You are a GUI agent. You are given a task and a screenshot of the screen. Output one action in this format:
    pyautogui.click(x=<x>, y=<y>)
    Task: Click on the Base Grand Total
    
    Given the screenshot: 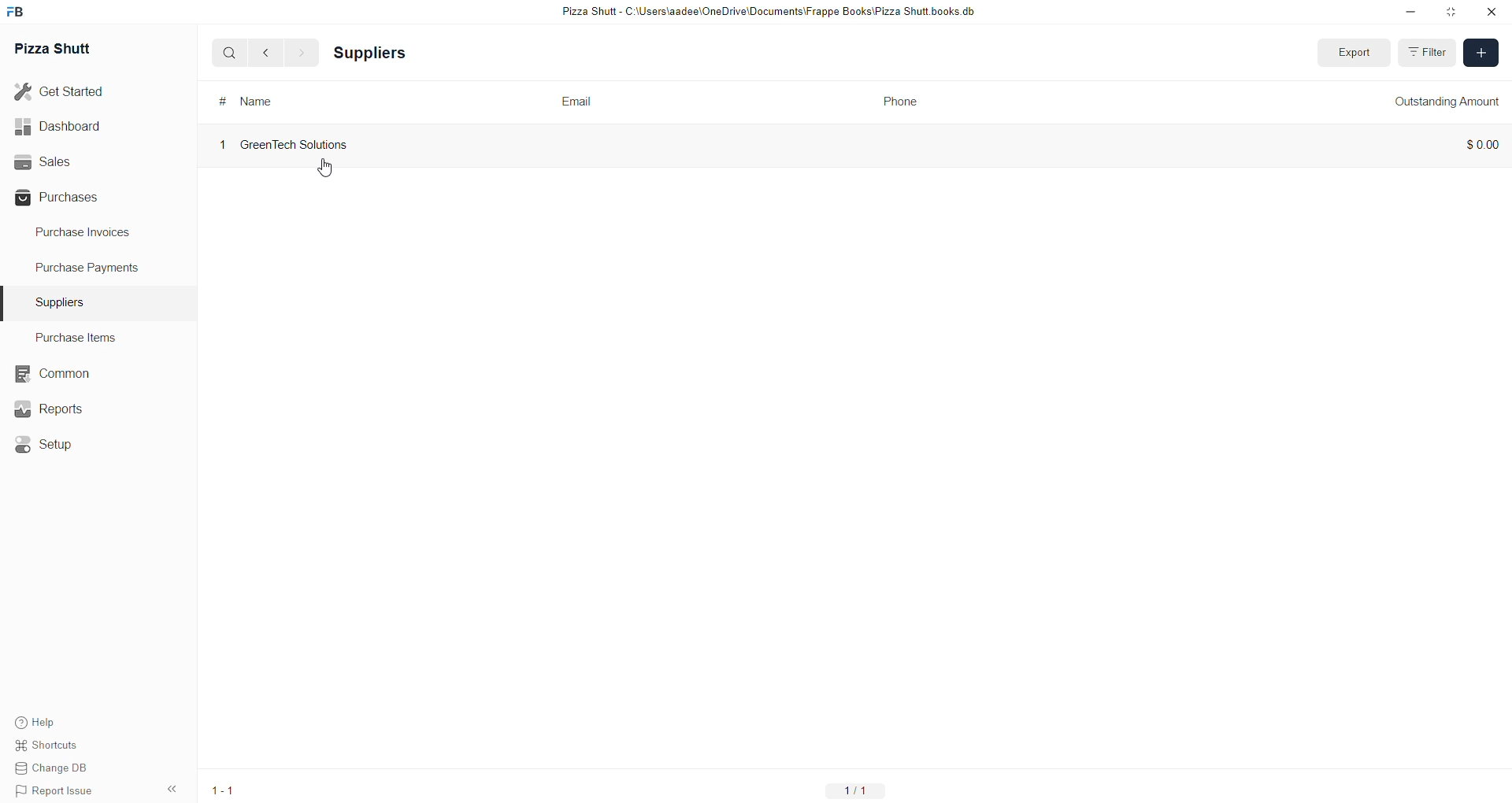 What is the action you would take?
    pyautogui.click(x=1261, y=101)
    